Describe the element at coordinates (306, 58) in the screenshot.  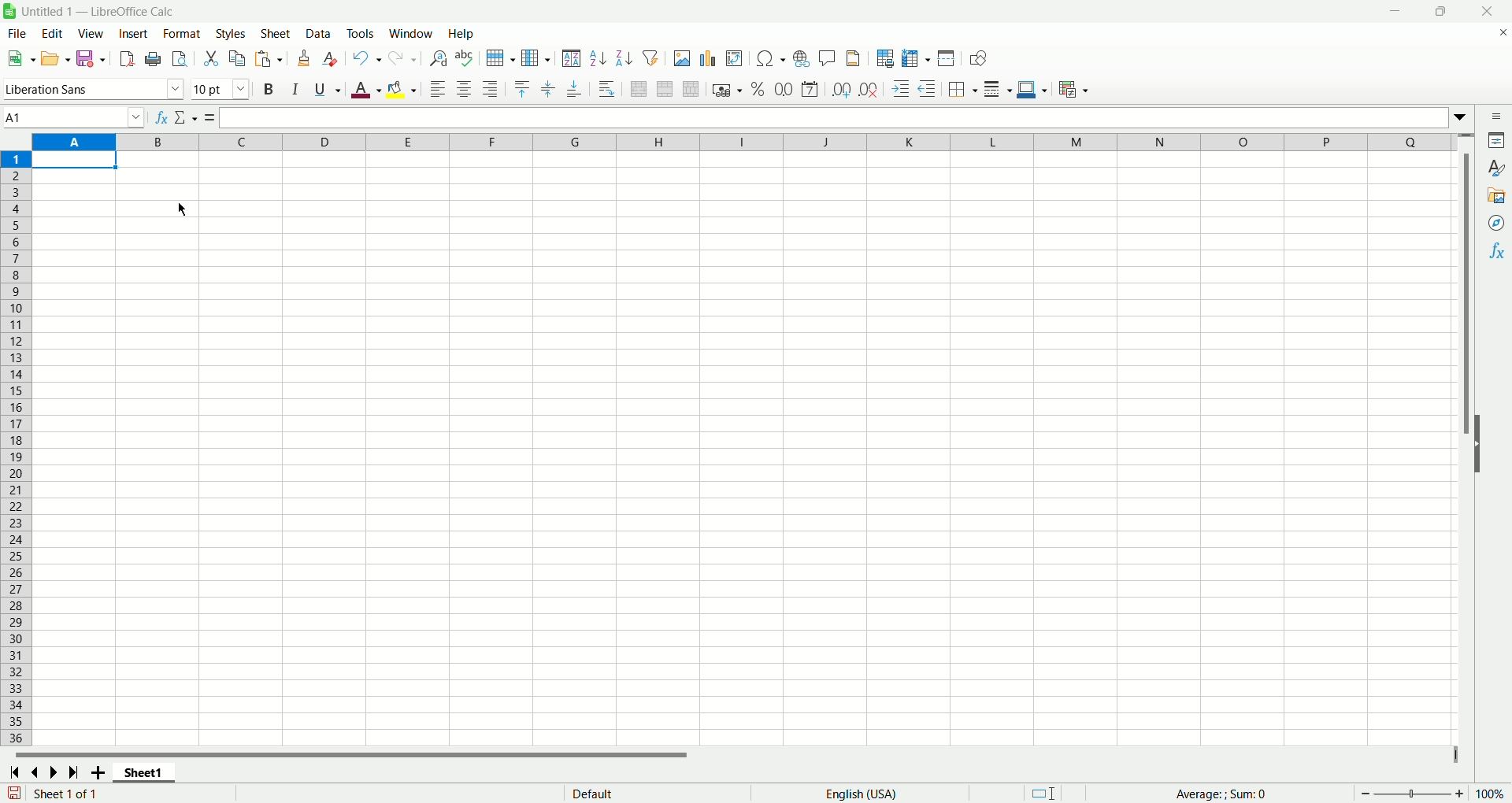
I see `clone formatting` at that location.